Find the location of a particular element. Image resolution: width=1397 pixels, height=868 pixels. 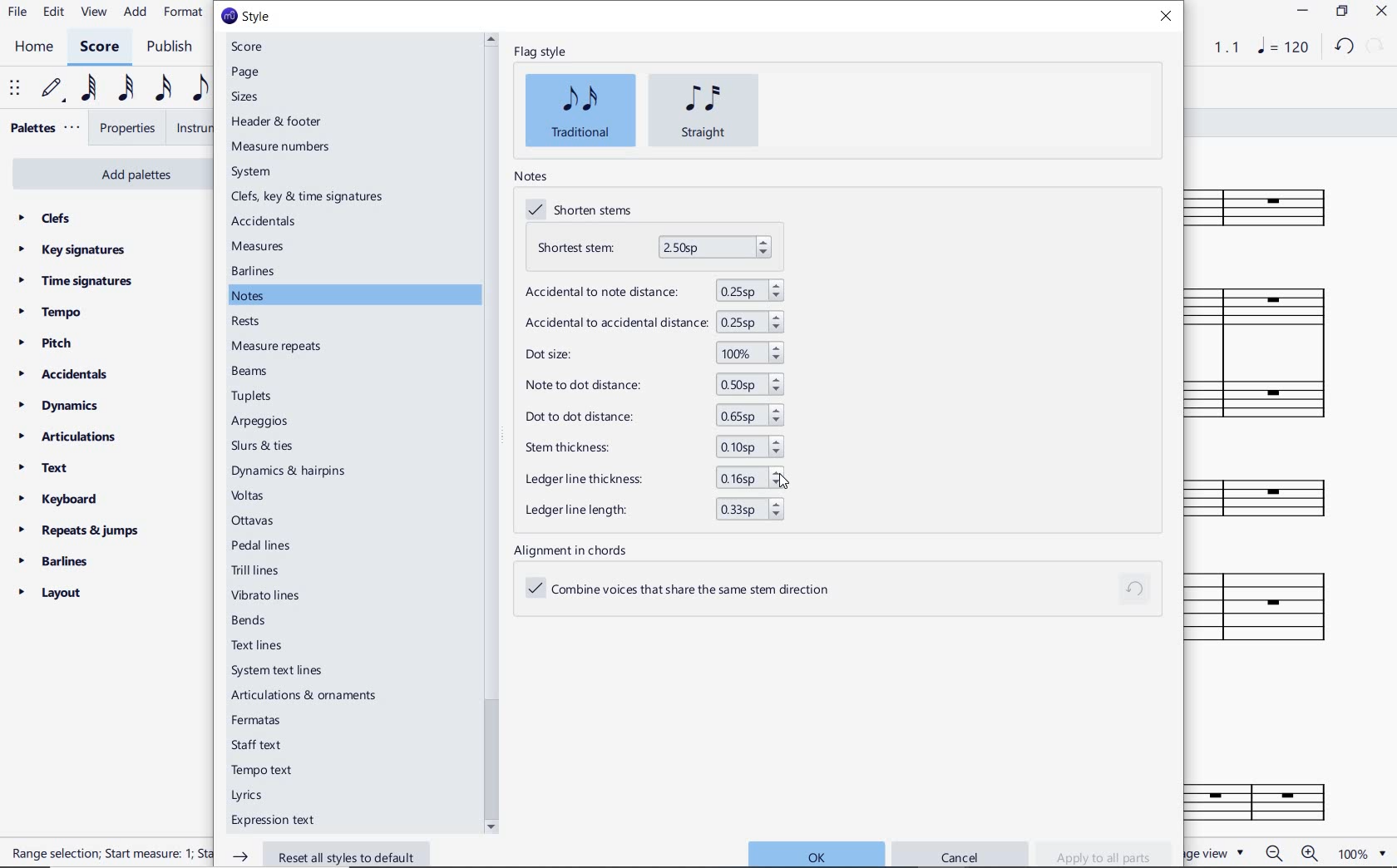

RESTORE DOWN is located at coordinates (1342, 13).